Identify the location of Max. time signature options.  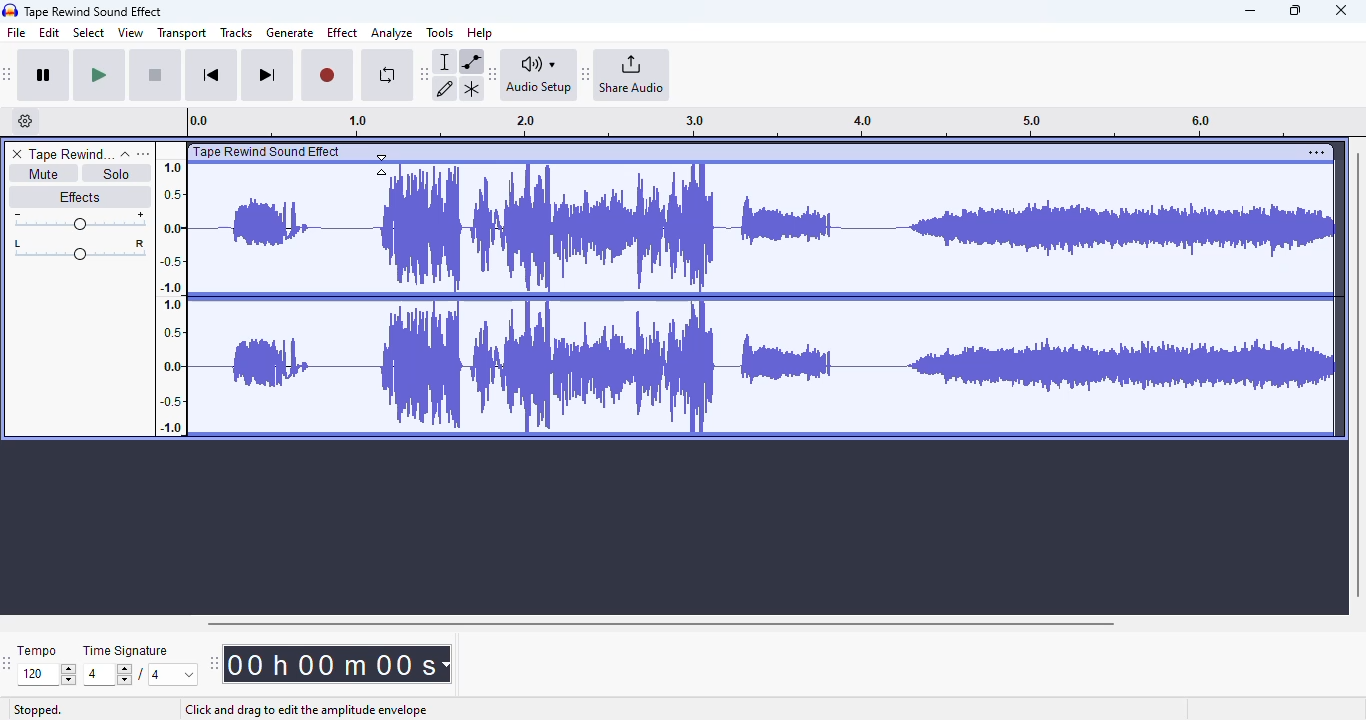
(174, 674).